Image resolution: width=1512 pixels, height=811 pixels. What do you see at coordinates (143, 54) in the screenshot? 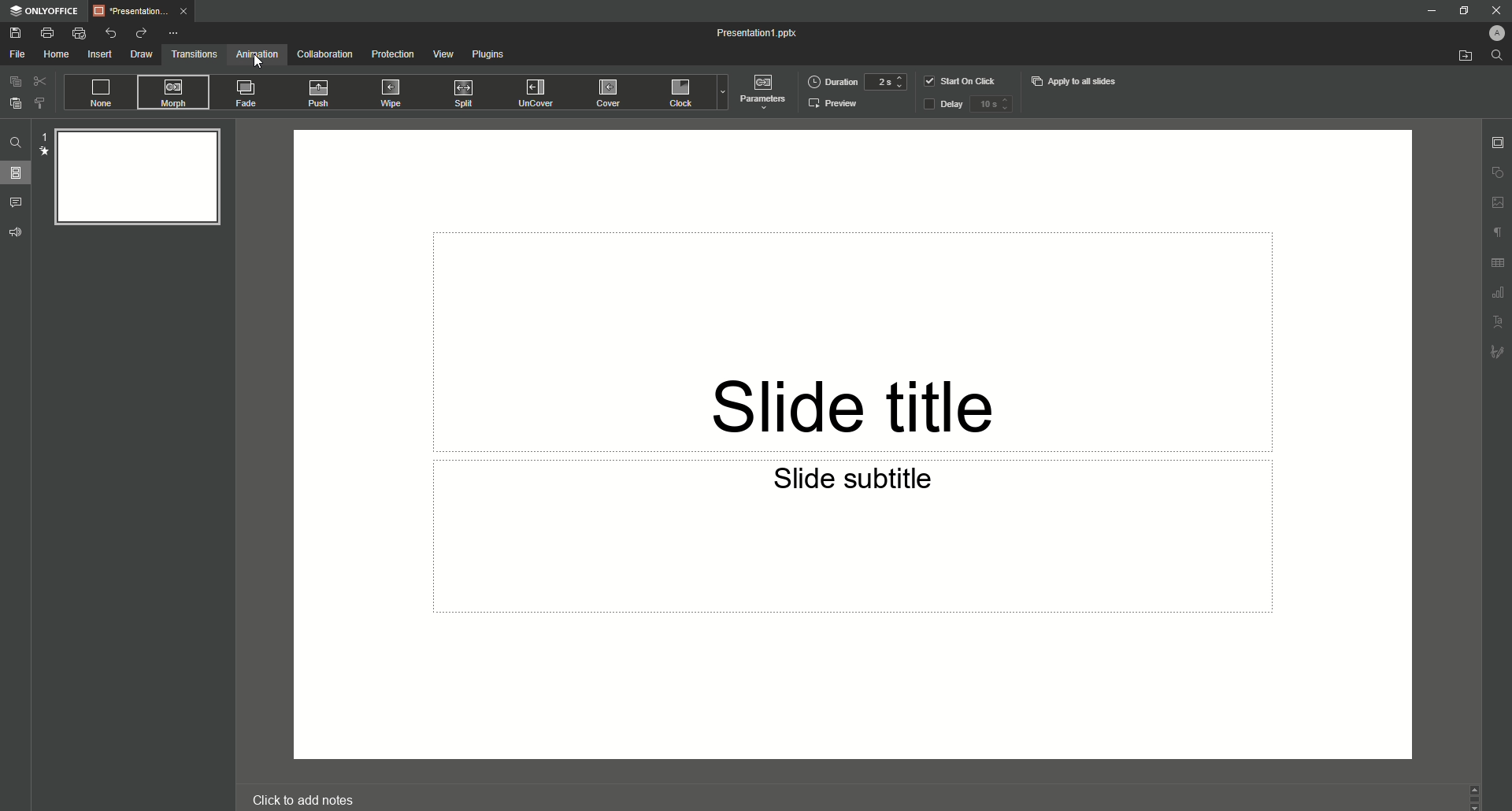
I see `Draw` at bounding box center [143, 54].